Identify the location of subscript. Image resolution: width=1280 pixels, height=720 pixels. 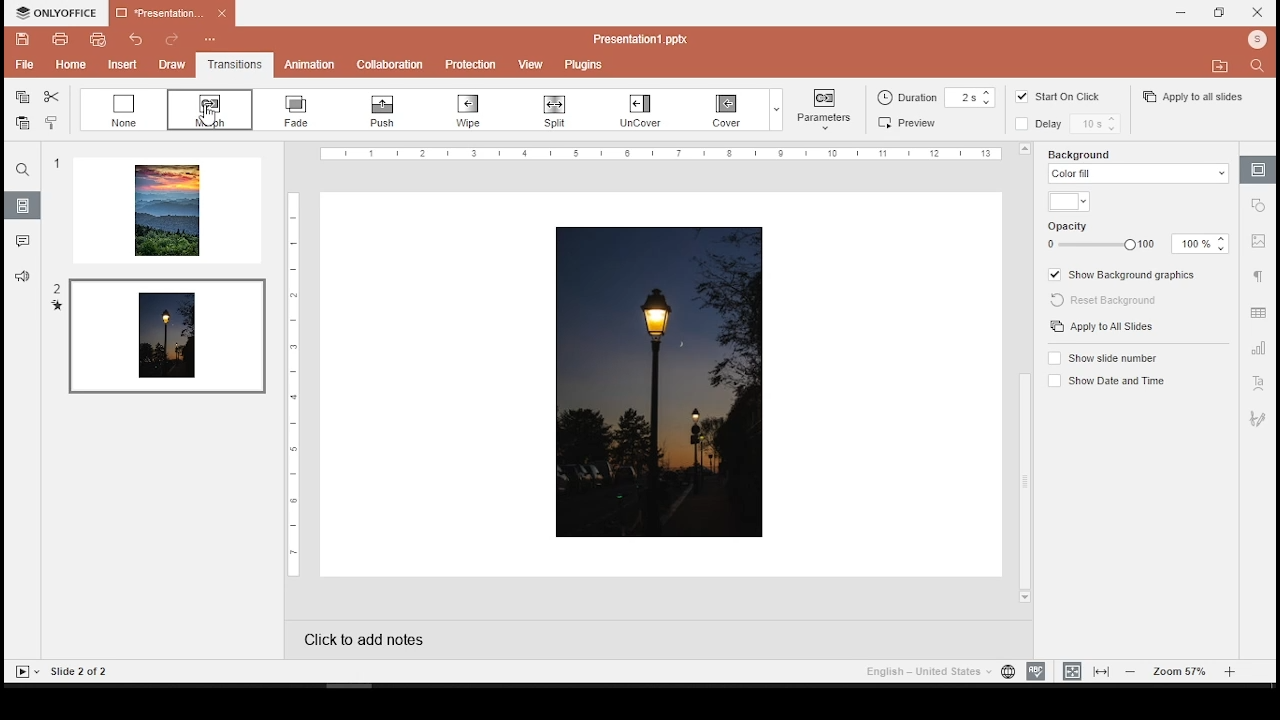
(118, 111).